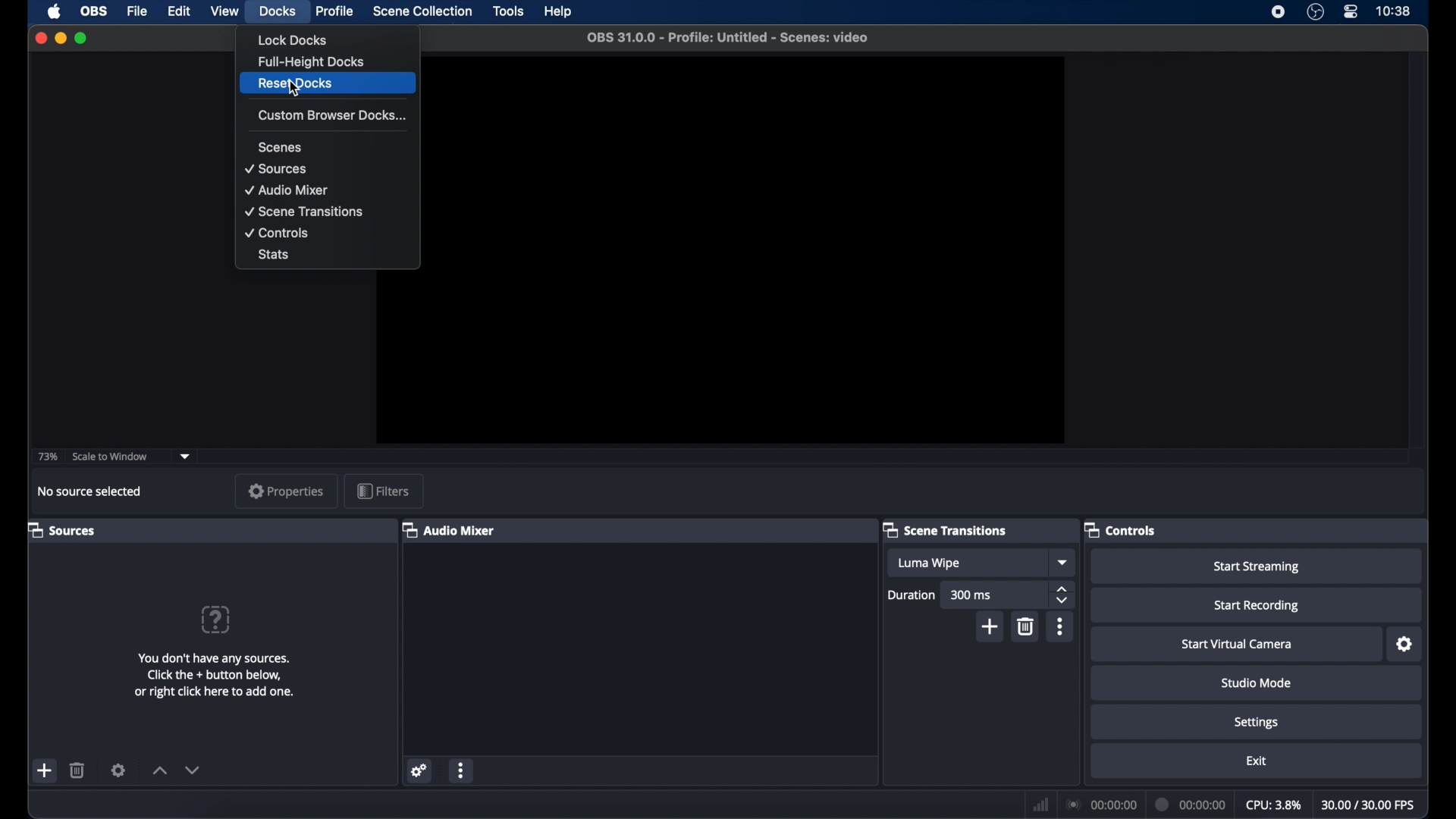  I want to click on close, so click(40, 37).